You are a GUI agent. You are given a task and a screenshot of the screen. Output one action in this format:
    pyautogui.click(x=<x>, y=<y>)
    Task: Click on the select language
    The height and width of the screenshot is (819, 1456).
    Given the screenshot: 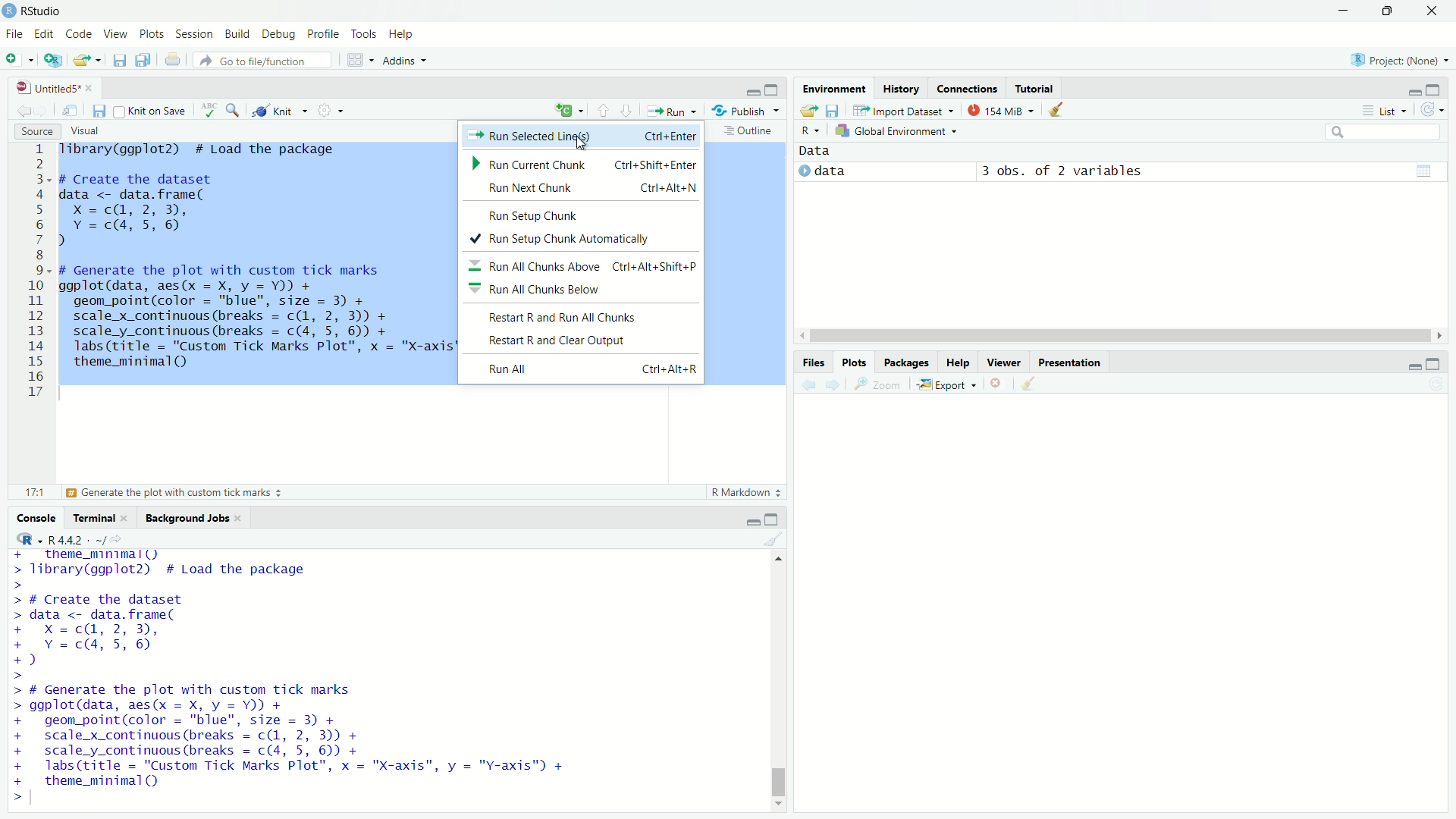 What is the action you would take?
    pyautogui.click(x=22, y=539)
    